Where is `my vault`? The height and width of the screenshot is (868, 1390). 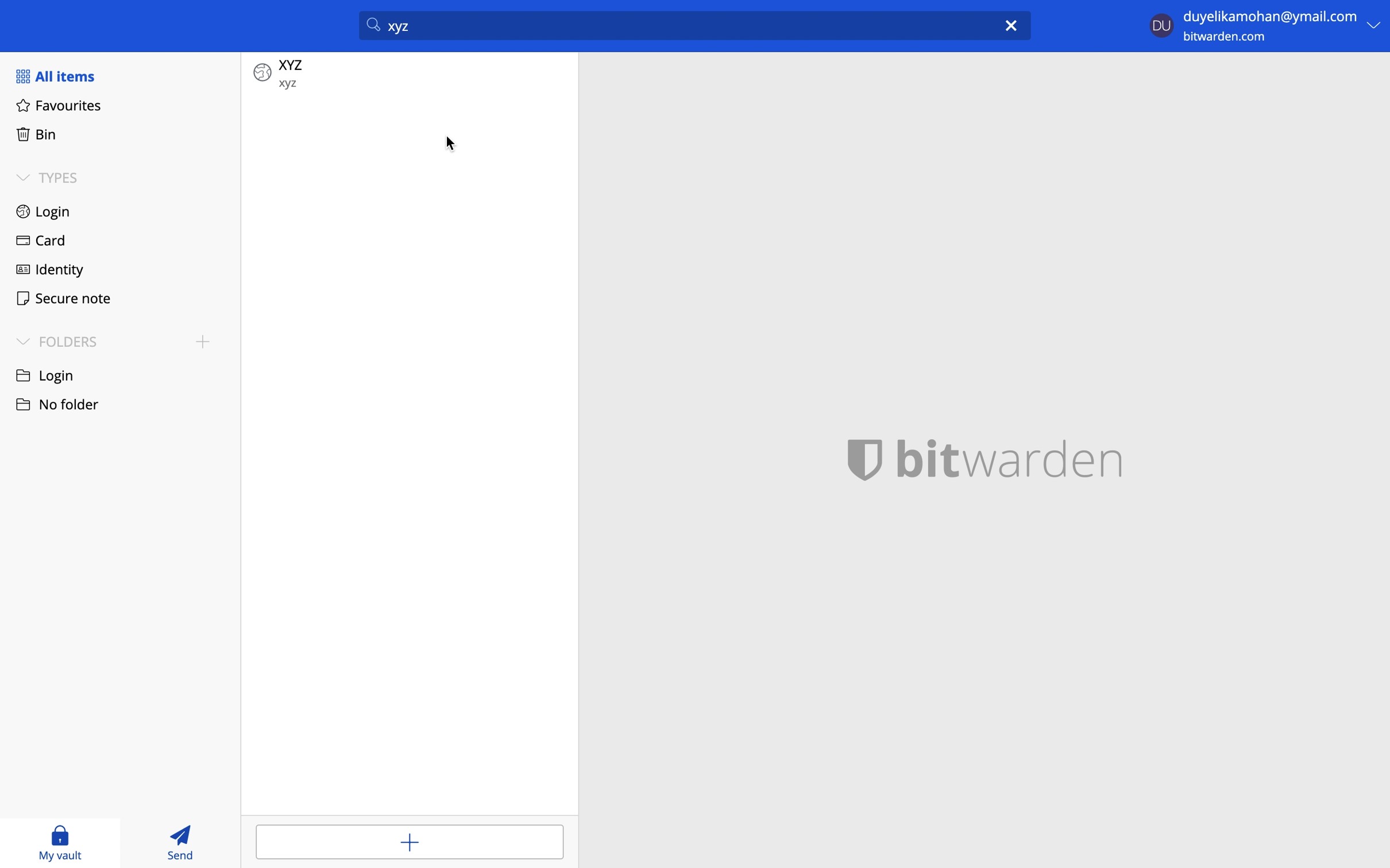 my vault is located at coordinates (59, 845).